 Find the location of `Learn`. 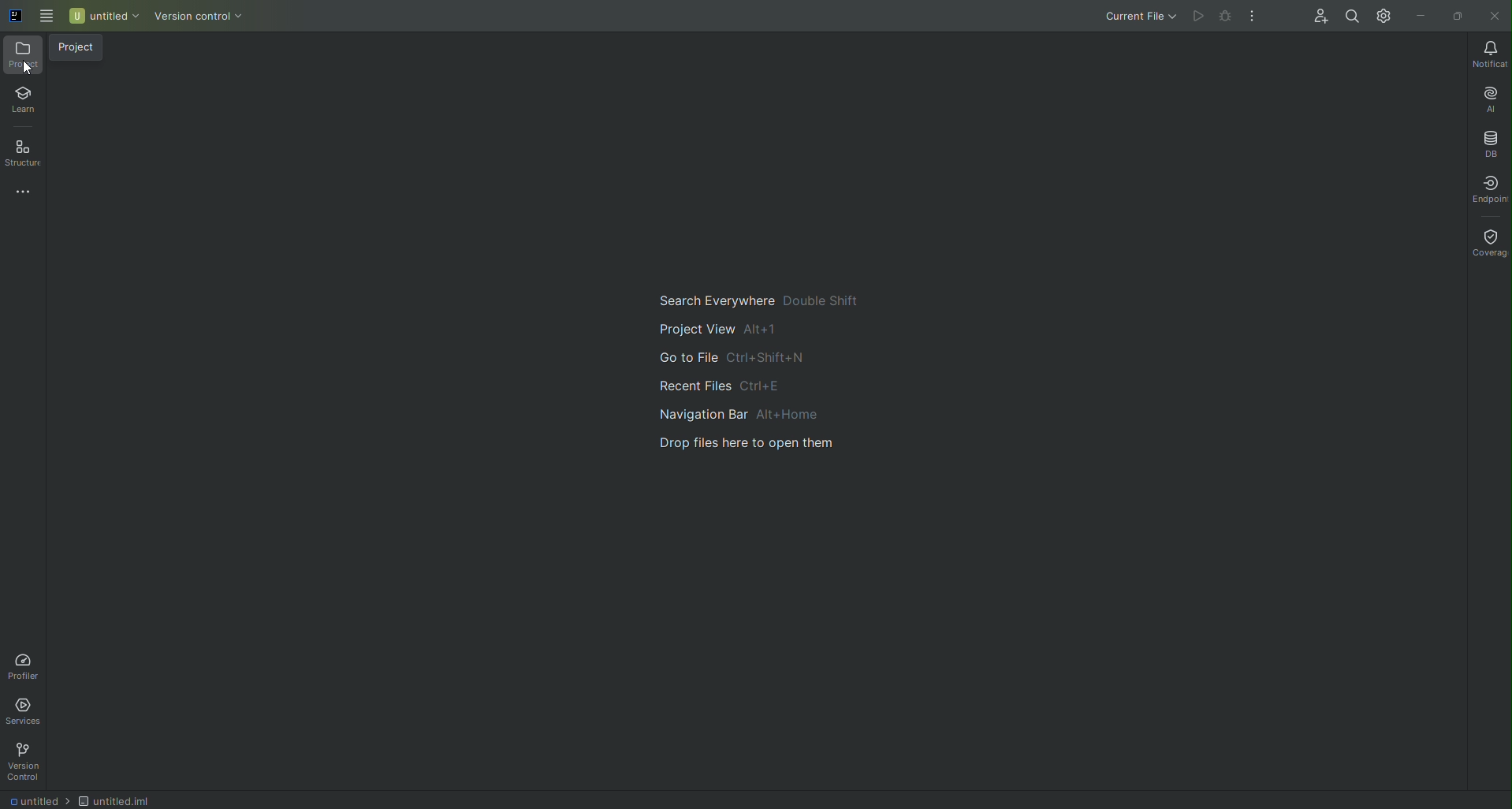

Learn is located at coordinates (22, 101).